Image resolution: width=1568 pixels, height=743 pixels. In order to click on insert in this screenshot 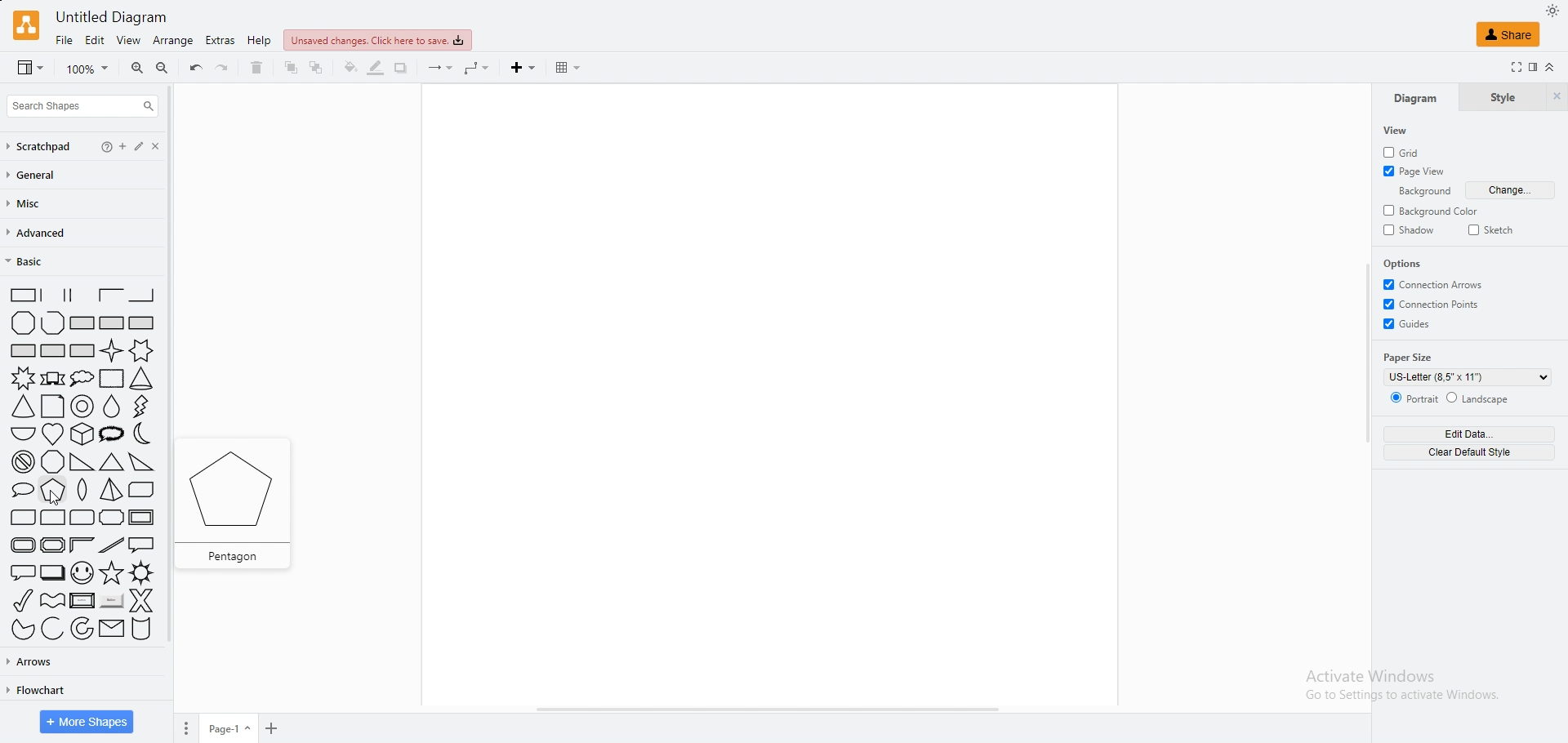, I will do `click(525, 68)`.